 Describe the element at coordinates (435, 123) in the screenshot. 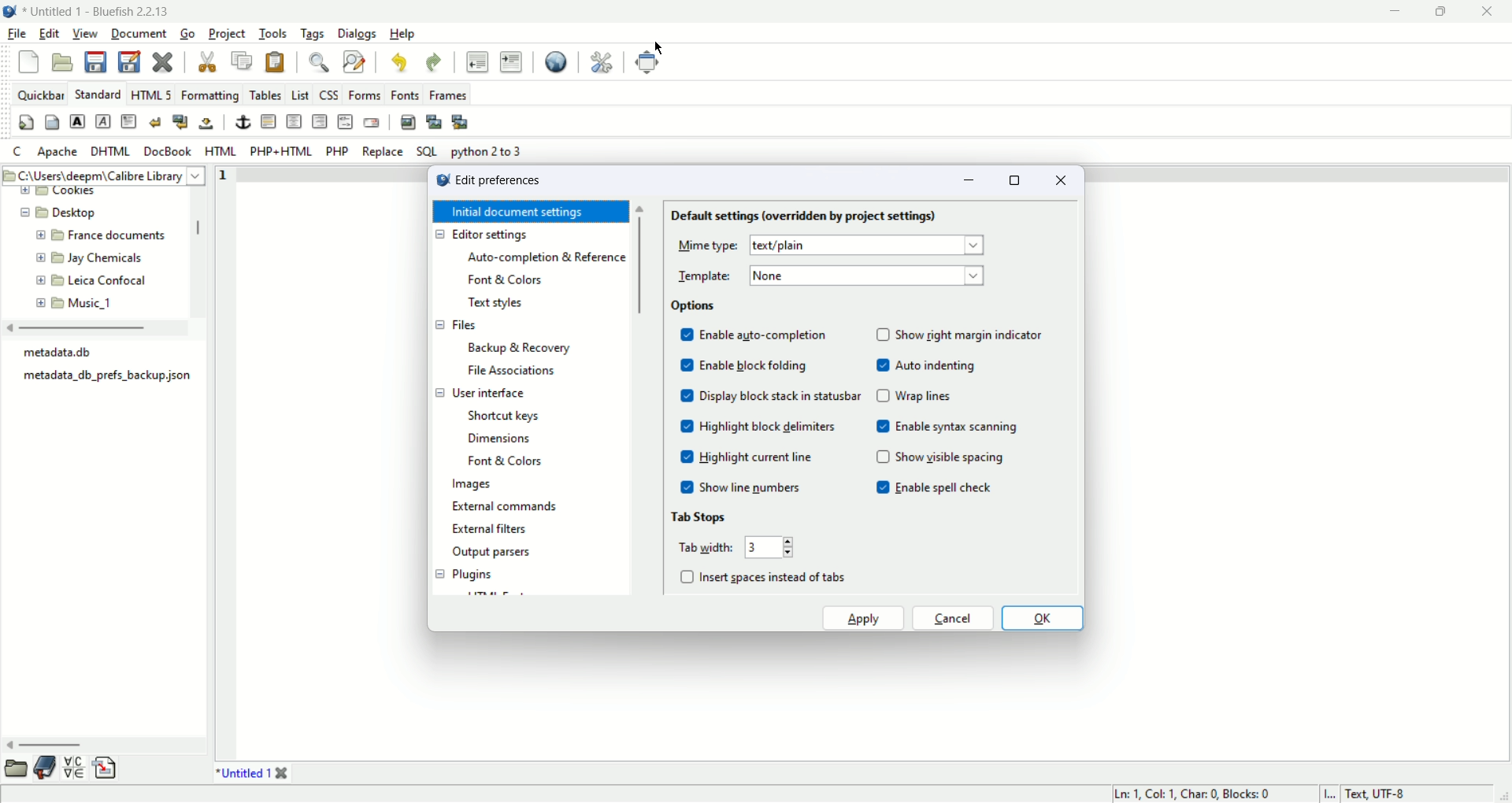

I see `insert thumbnail` at that location.